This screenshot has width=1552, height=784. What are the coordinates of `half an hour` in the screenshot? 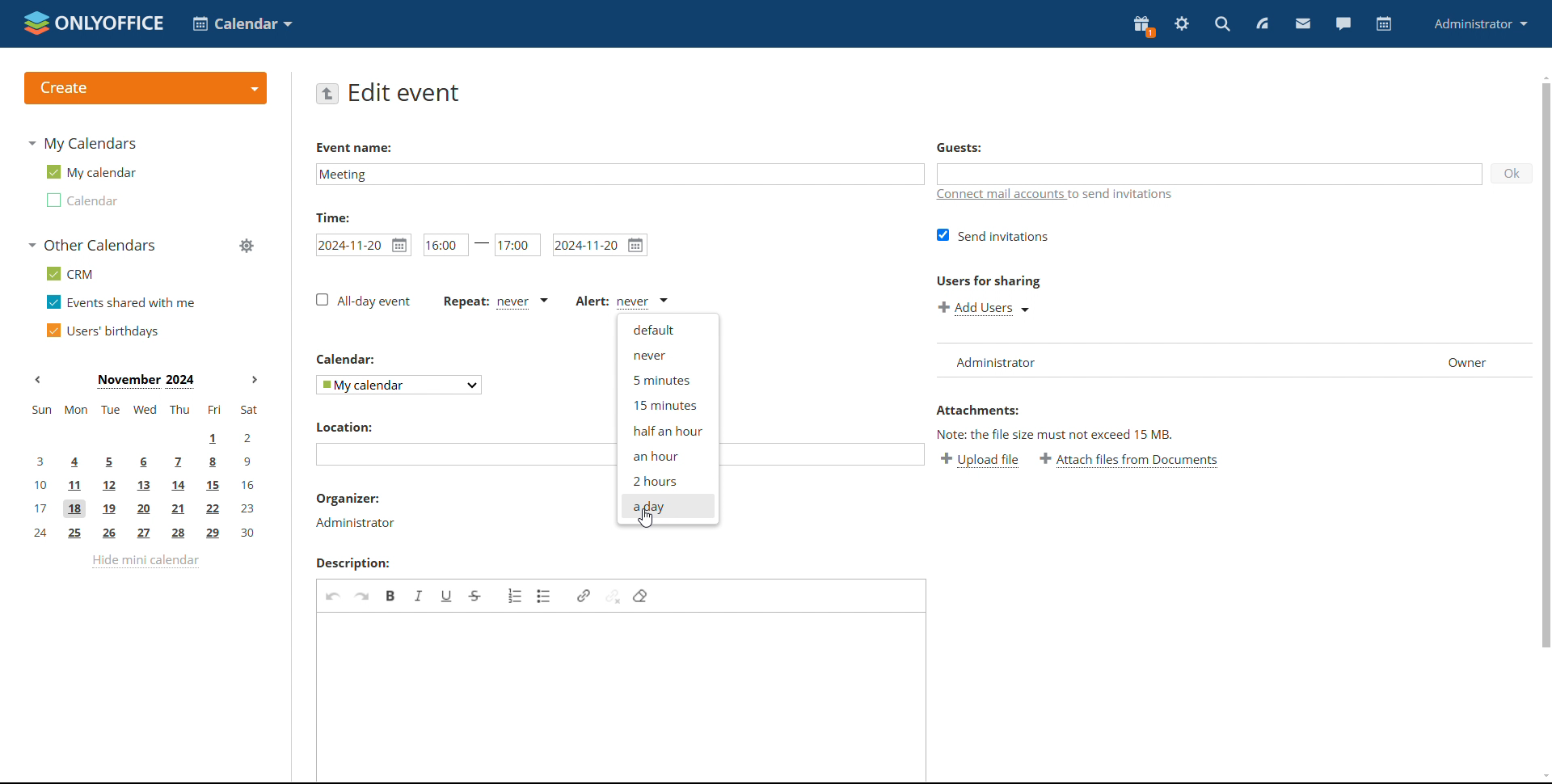 It's located at (667, 429).